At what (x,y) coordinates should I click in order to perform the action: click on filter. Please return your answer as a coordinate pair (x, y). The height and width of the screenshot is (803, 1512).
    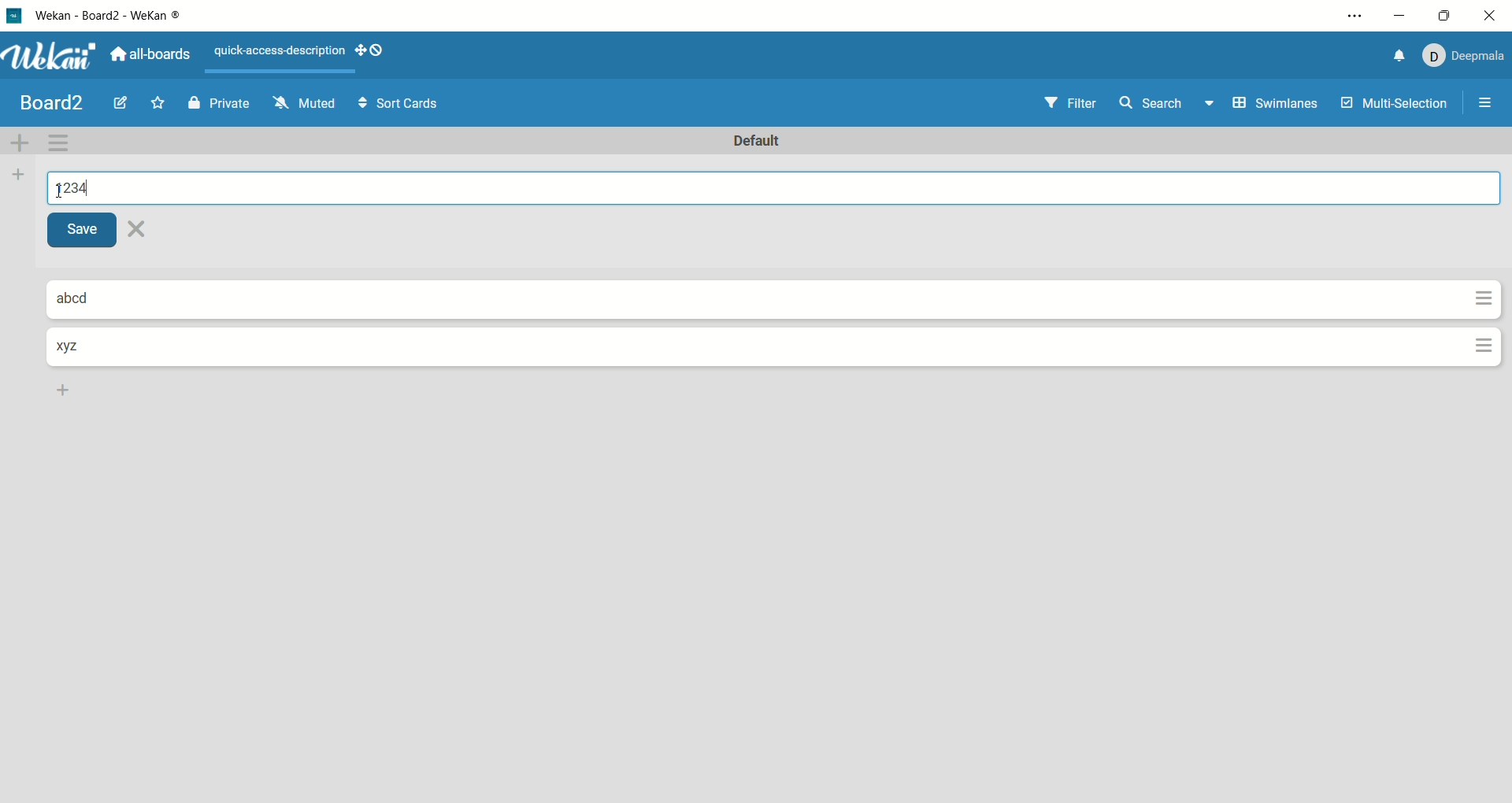
    Looking at the image, I should click on (1066, 102).